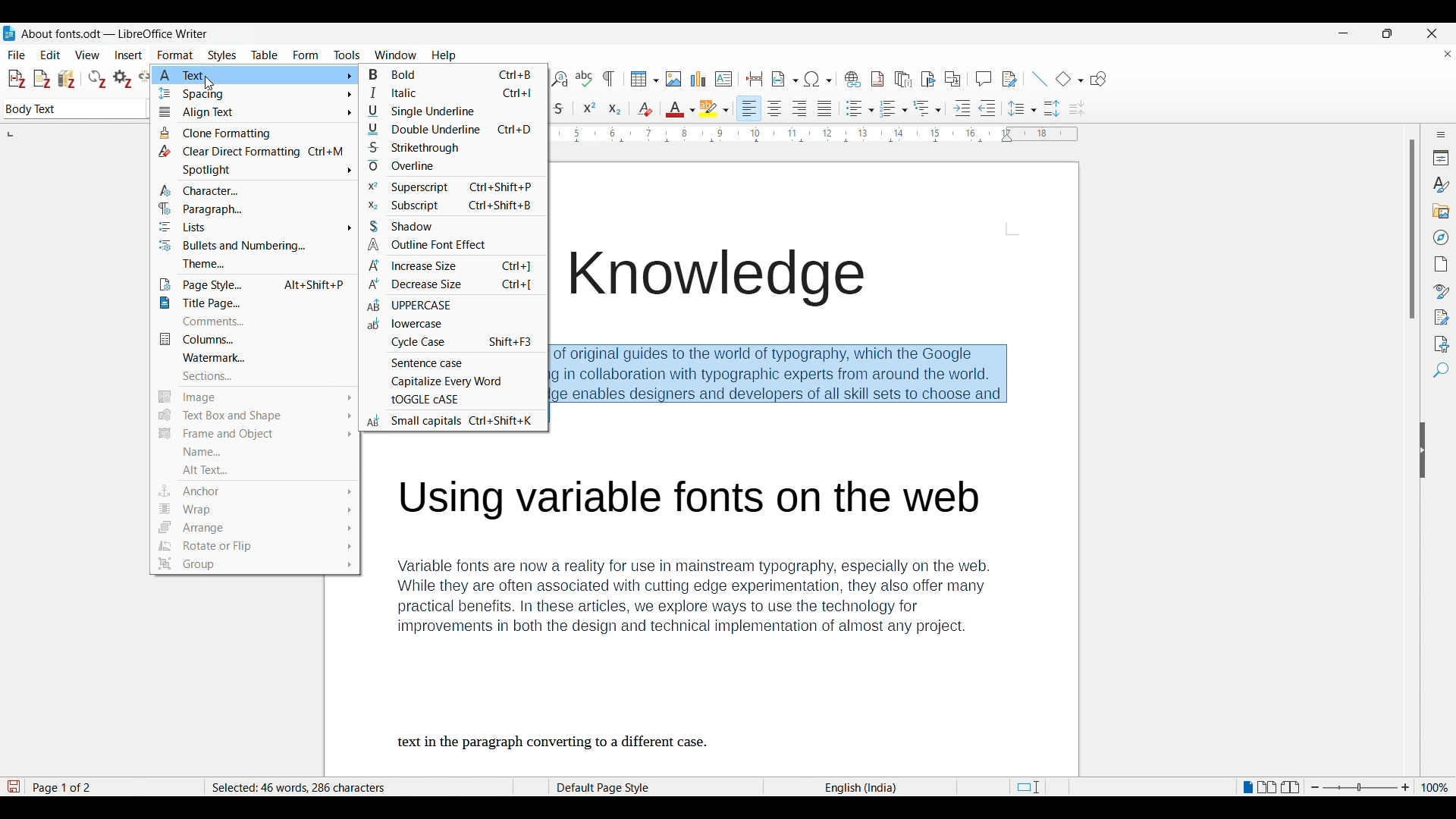 This screenshot has height=819, width=1456. What do you see at coordinates (50, 55) in the screenshot?
I see `Edit menu` at bounding box center [50, 55].